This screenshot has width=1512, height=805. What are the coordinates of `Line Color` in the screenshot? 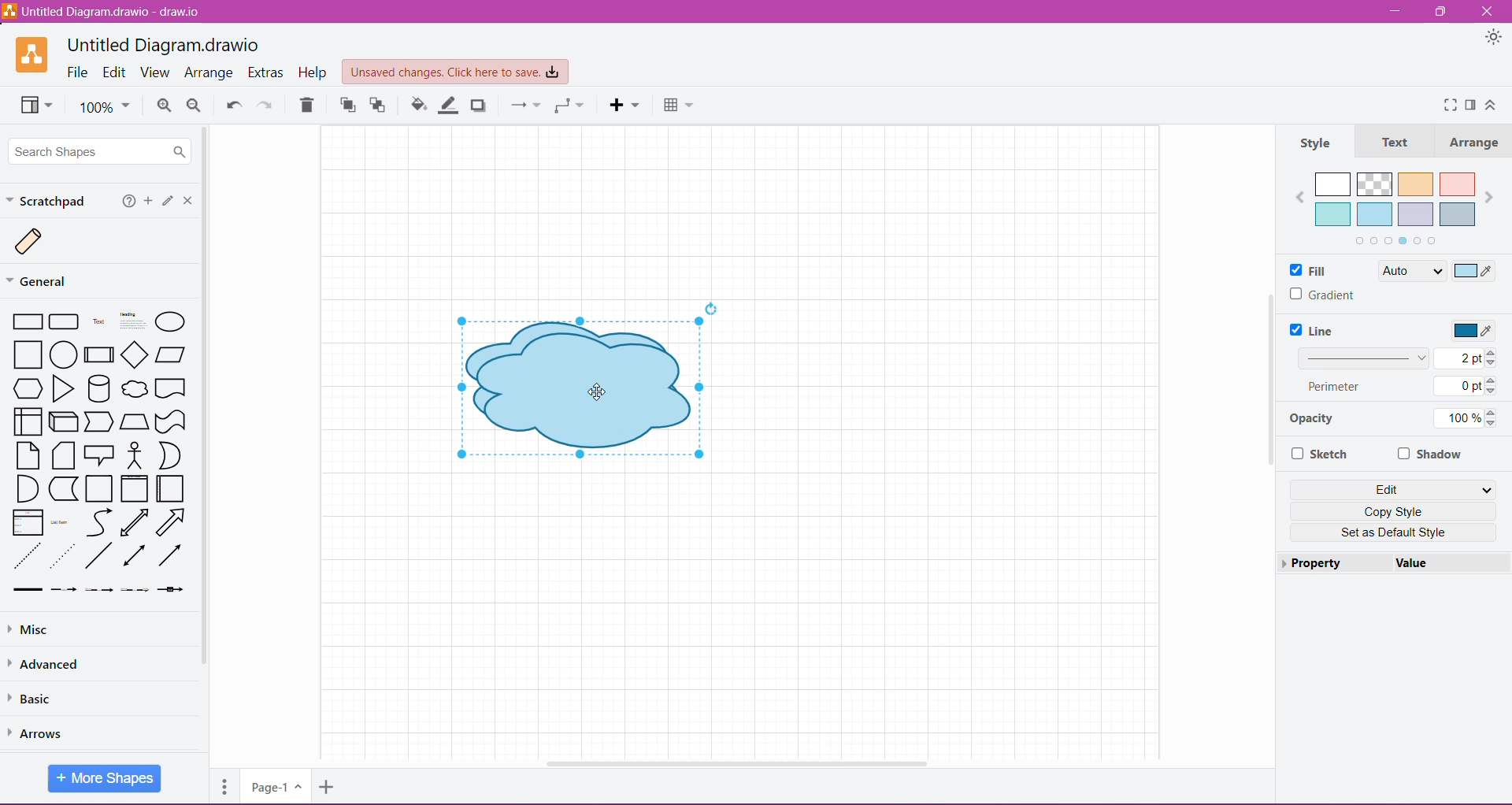 It's located at (449, 106).